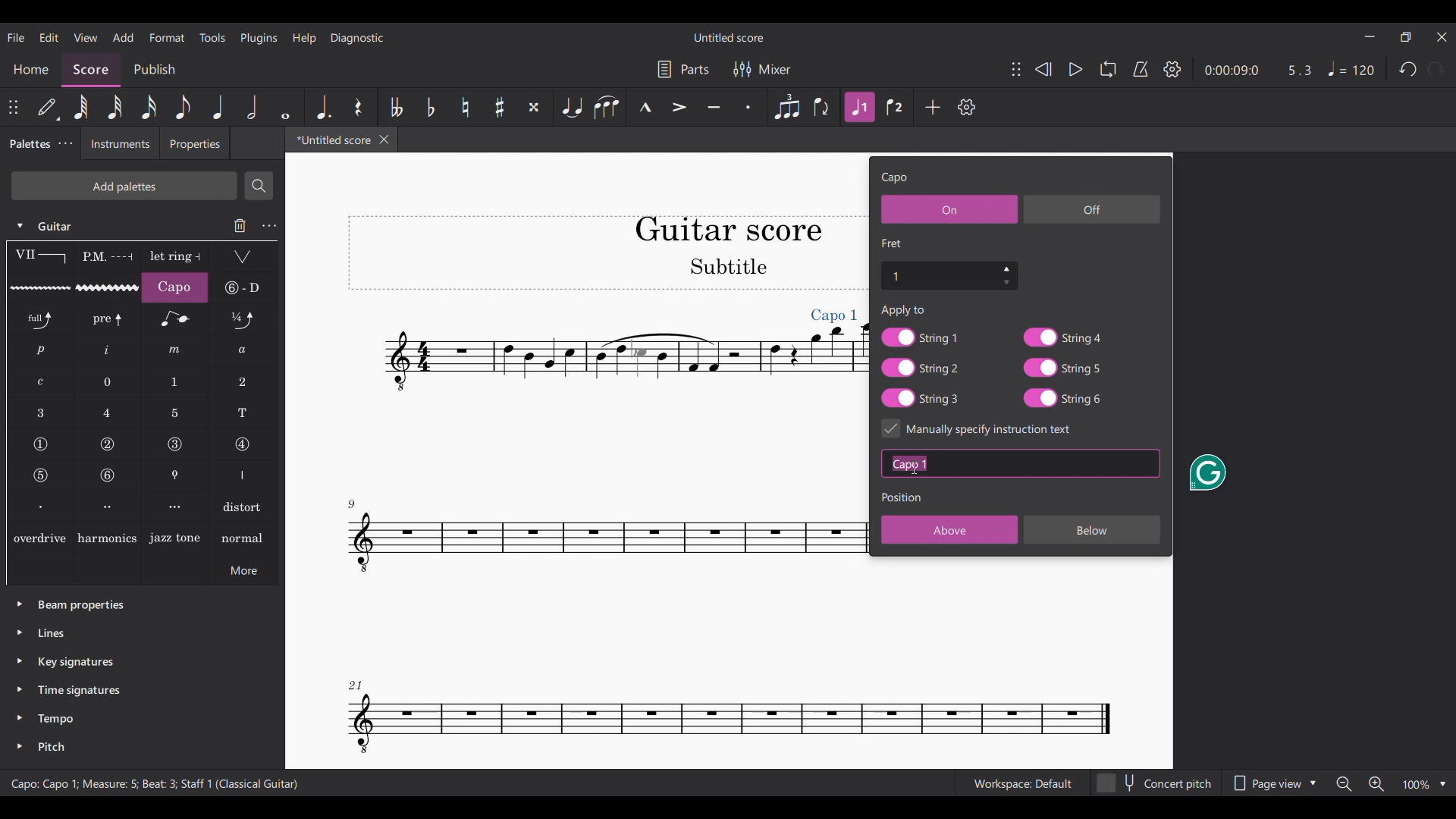  I want to click on normal, so click(243, 537).